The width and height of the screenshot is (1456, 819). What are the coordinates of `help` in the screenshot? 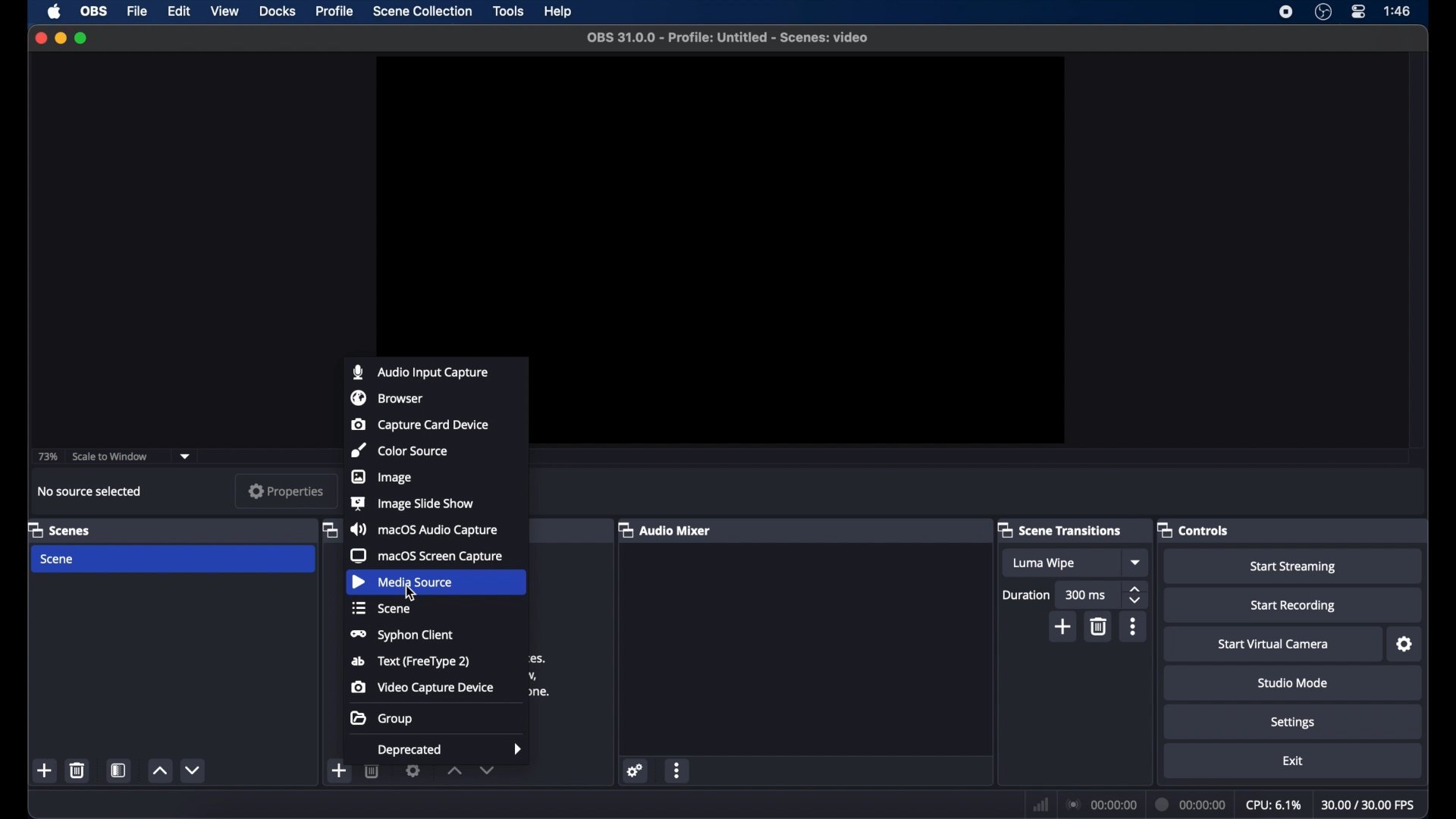 It's located at (560, 13).